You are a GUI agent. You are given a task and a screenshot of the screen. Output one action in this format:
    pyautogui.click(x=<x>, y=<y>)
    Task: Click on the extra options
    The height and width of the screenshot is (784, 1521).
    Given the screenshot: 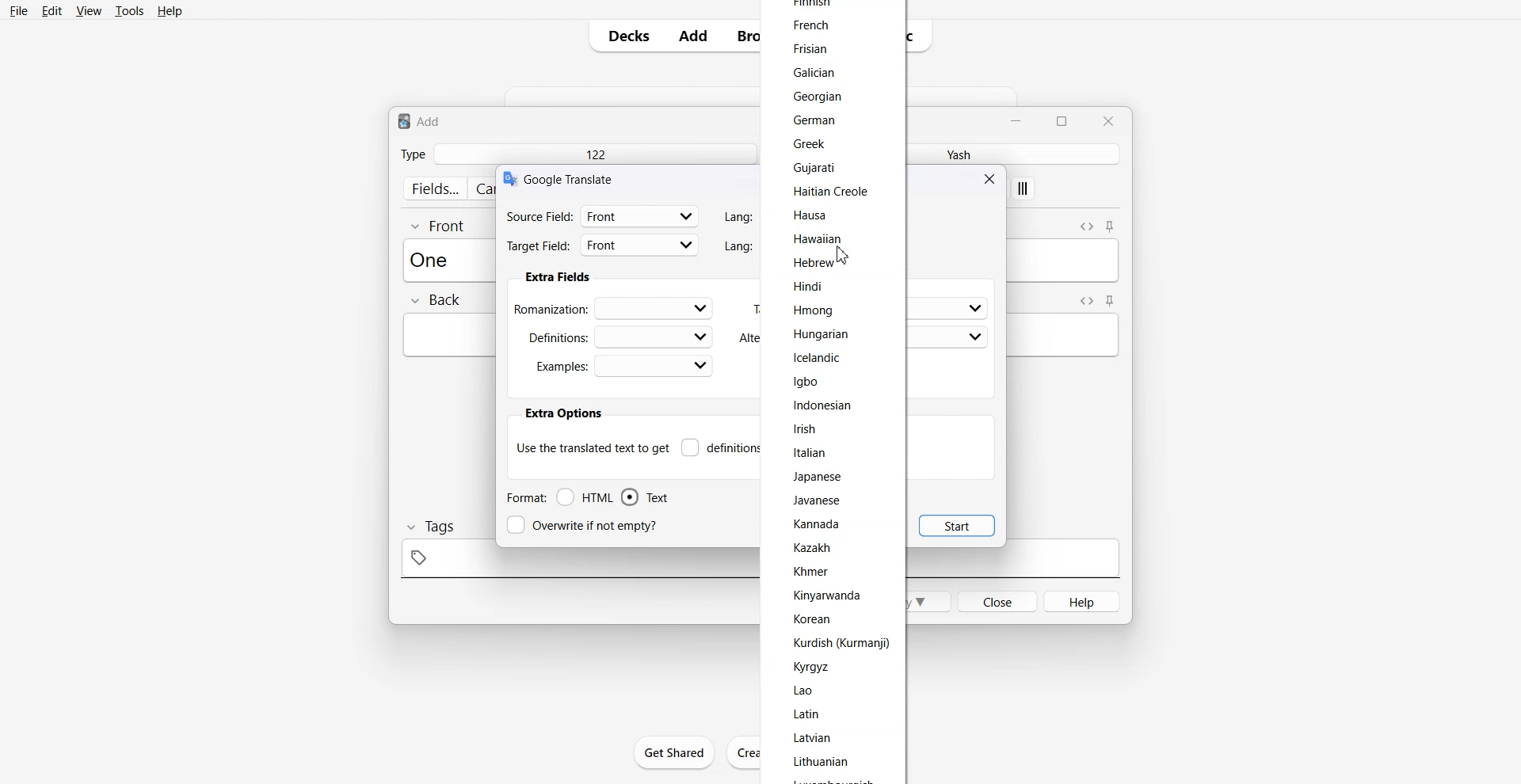 What is the action you would take?
    pyautogui.click(x=562, y=413)
    